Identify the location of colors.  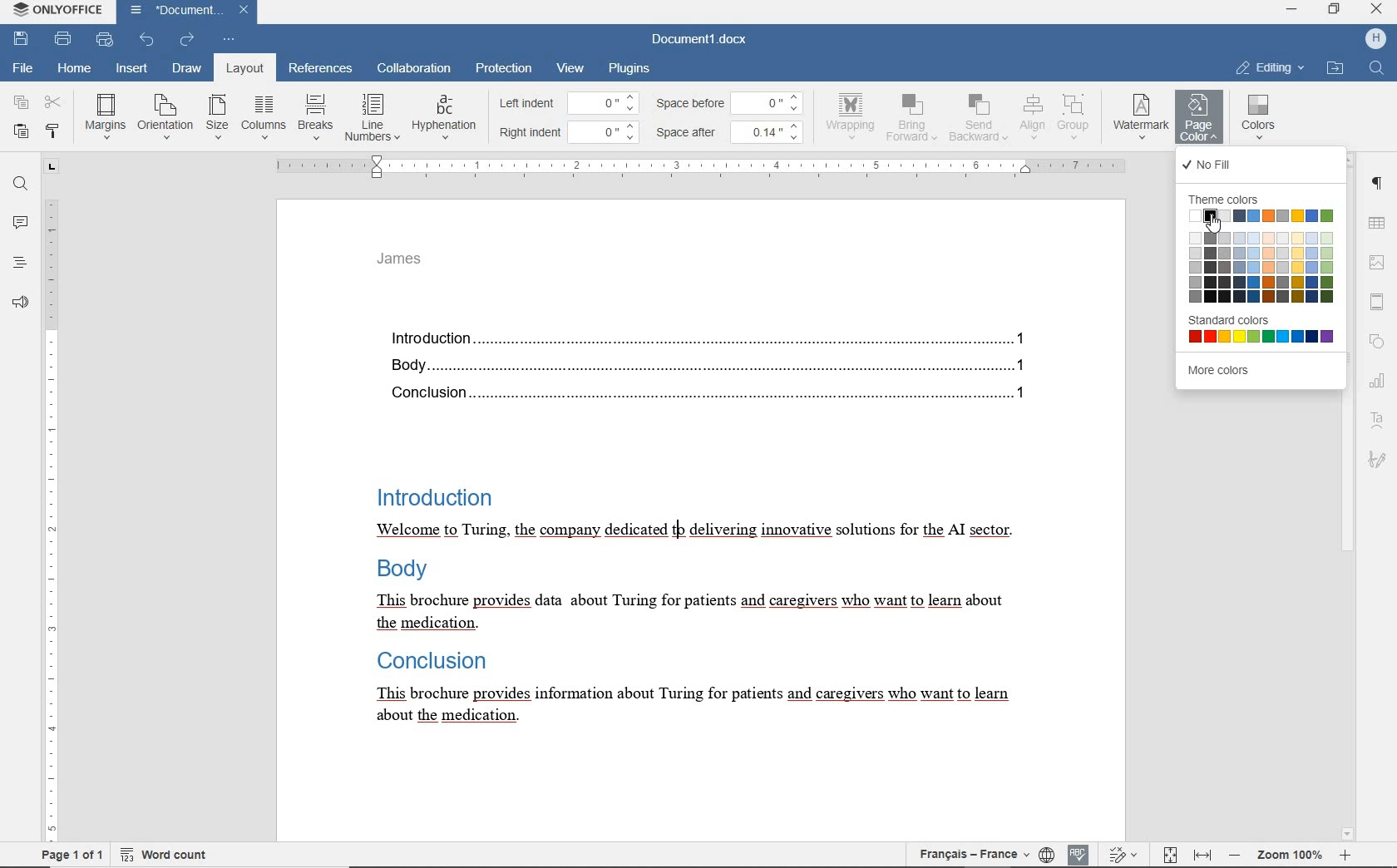
(1259, 122).